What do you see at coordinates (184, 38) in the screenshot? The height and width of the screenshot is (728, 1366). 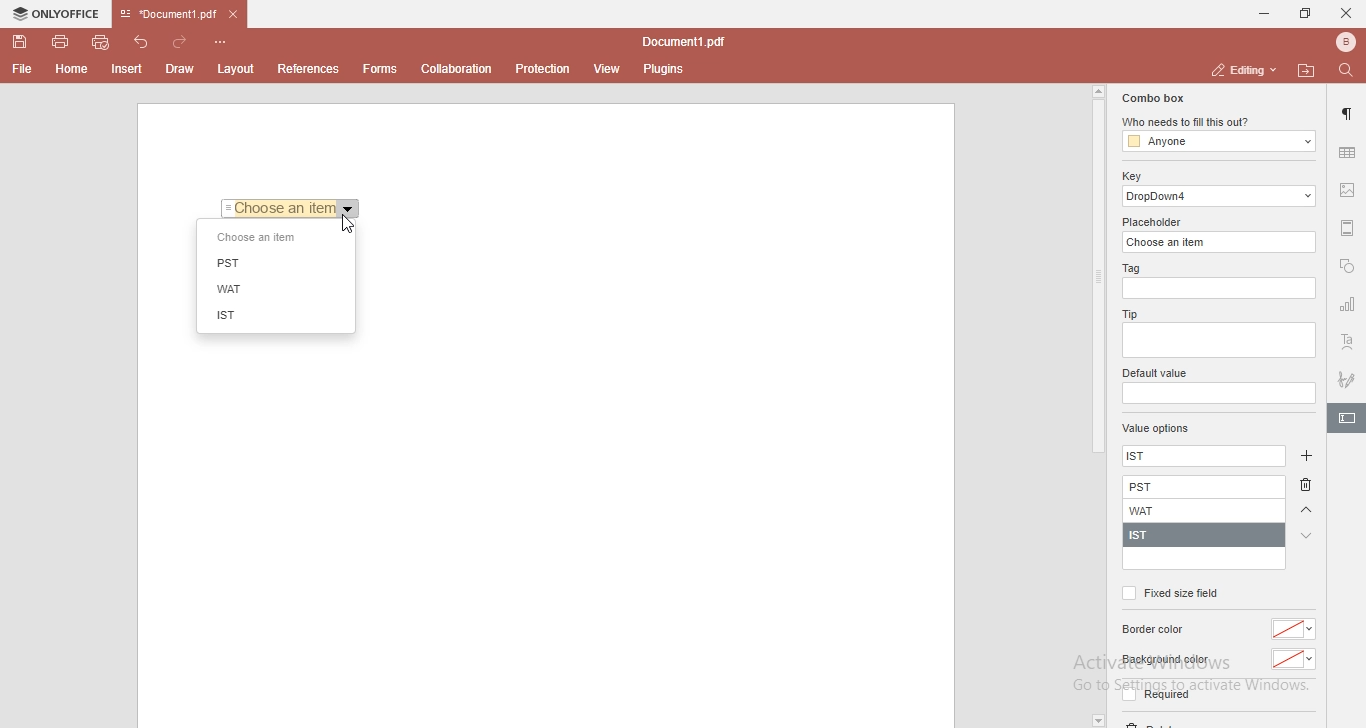 I see `redo` at bounding box center [184, 38].